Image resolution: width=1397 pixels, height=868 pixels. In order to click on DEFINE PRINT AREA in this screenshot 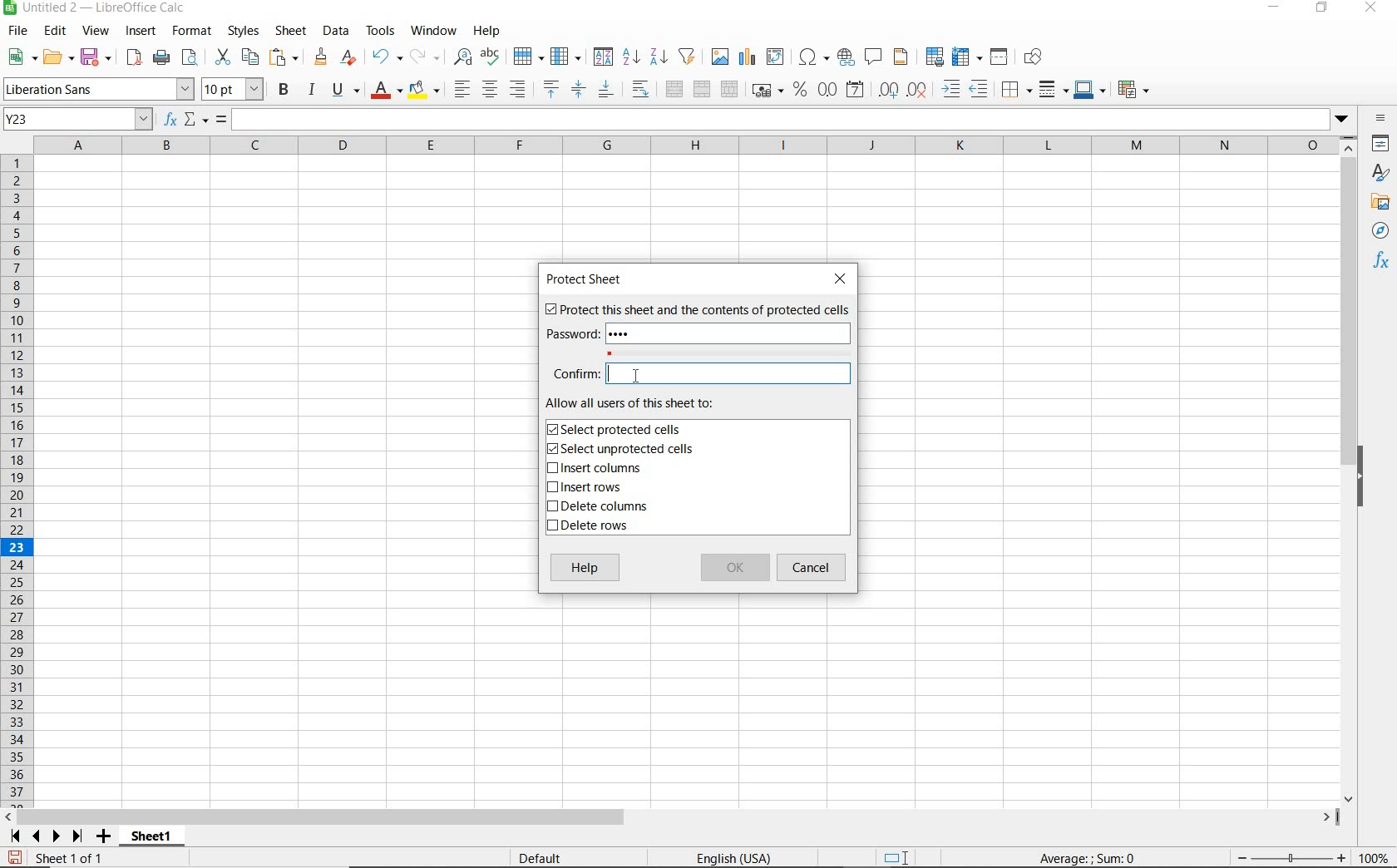, I will do `click(935, 57)`.